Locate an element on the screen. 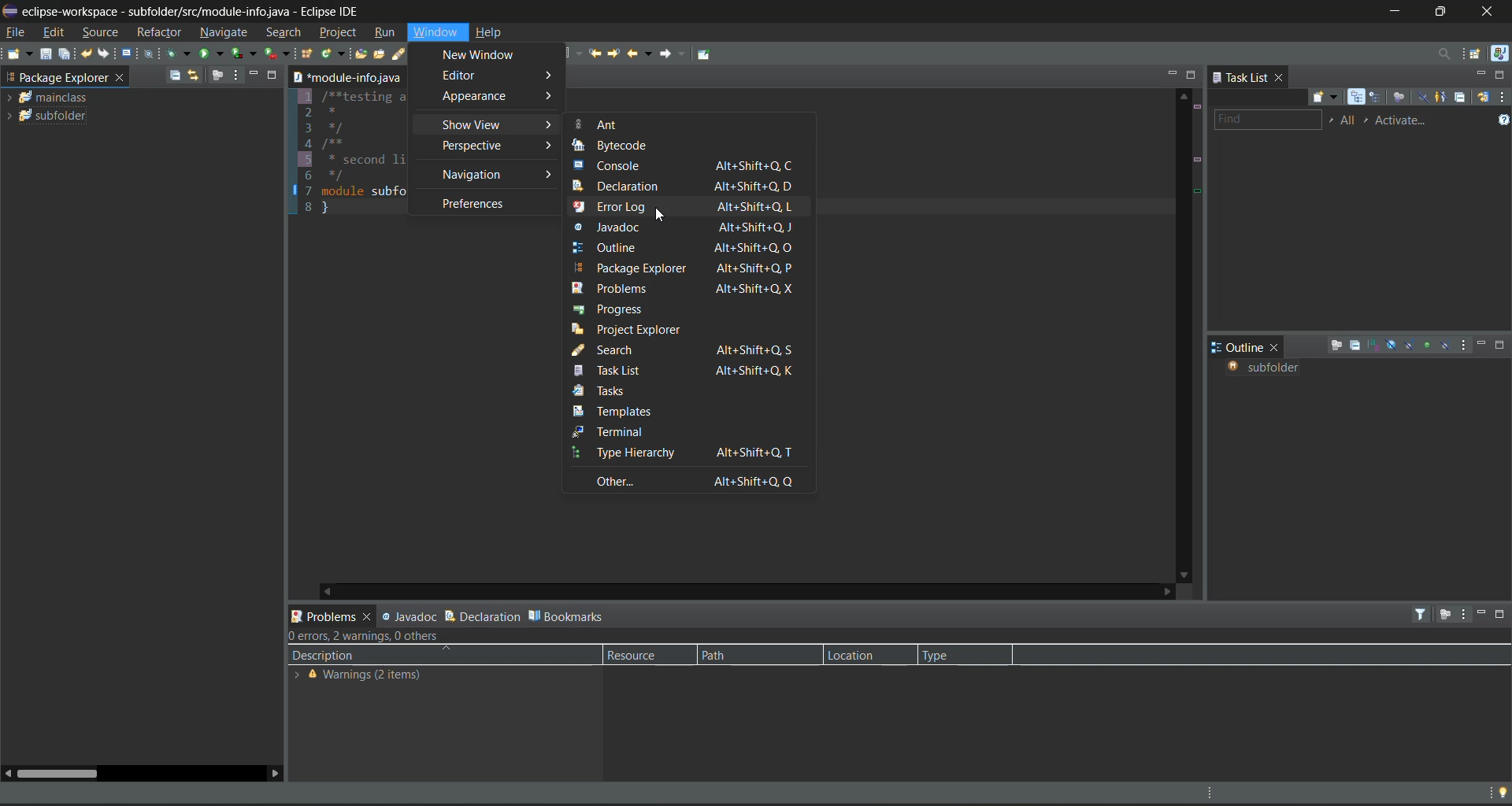 The image size is (1512, 806). perspective is located at coordinates (495, 146).